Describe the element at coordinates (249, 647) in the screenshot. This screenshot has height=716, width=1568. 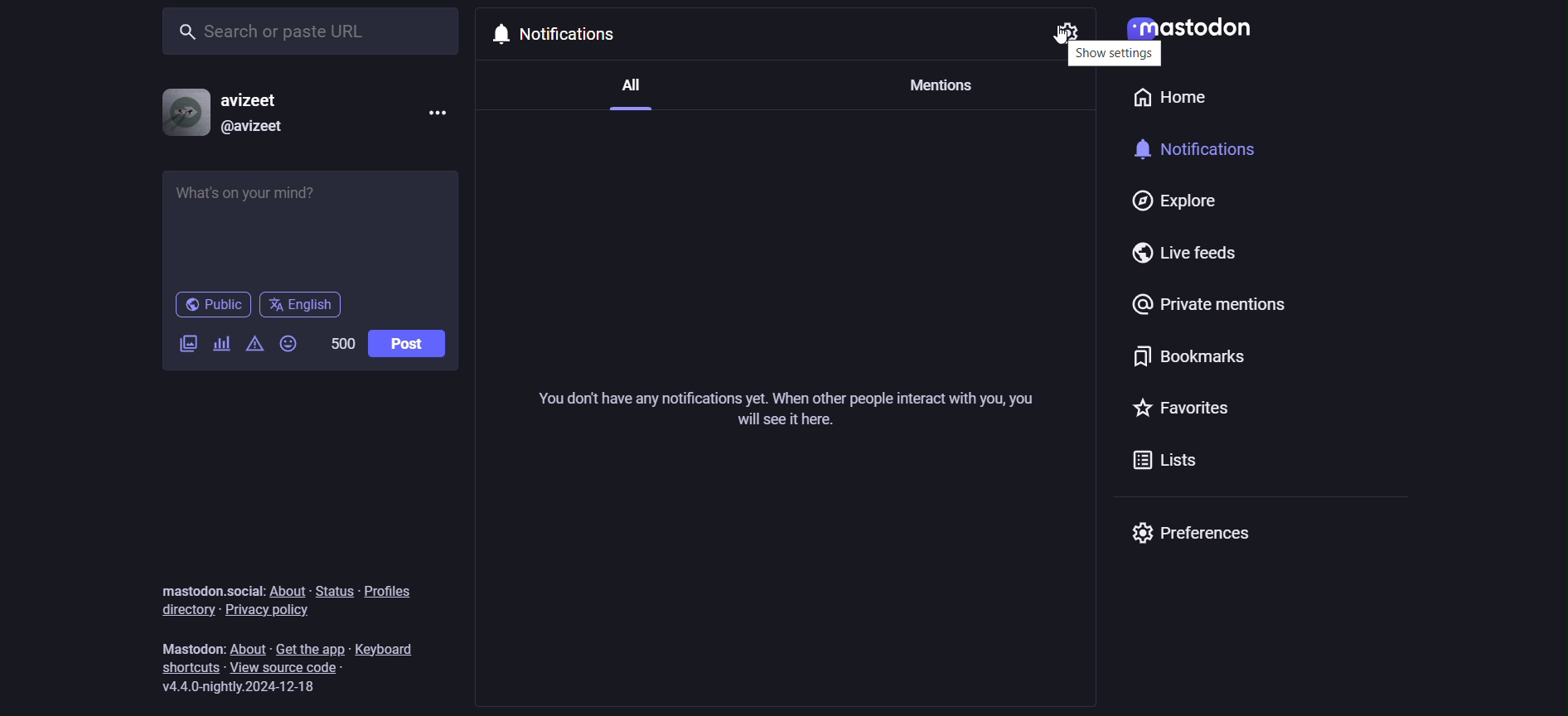
I see `about` at that location.